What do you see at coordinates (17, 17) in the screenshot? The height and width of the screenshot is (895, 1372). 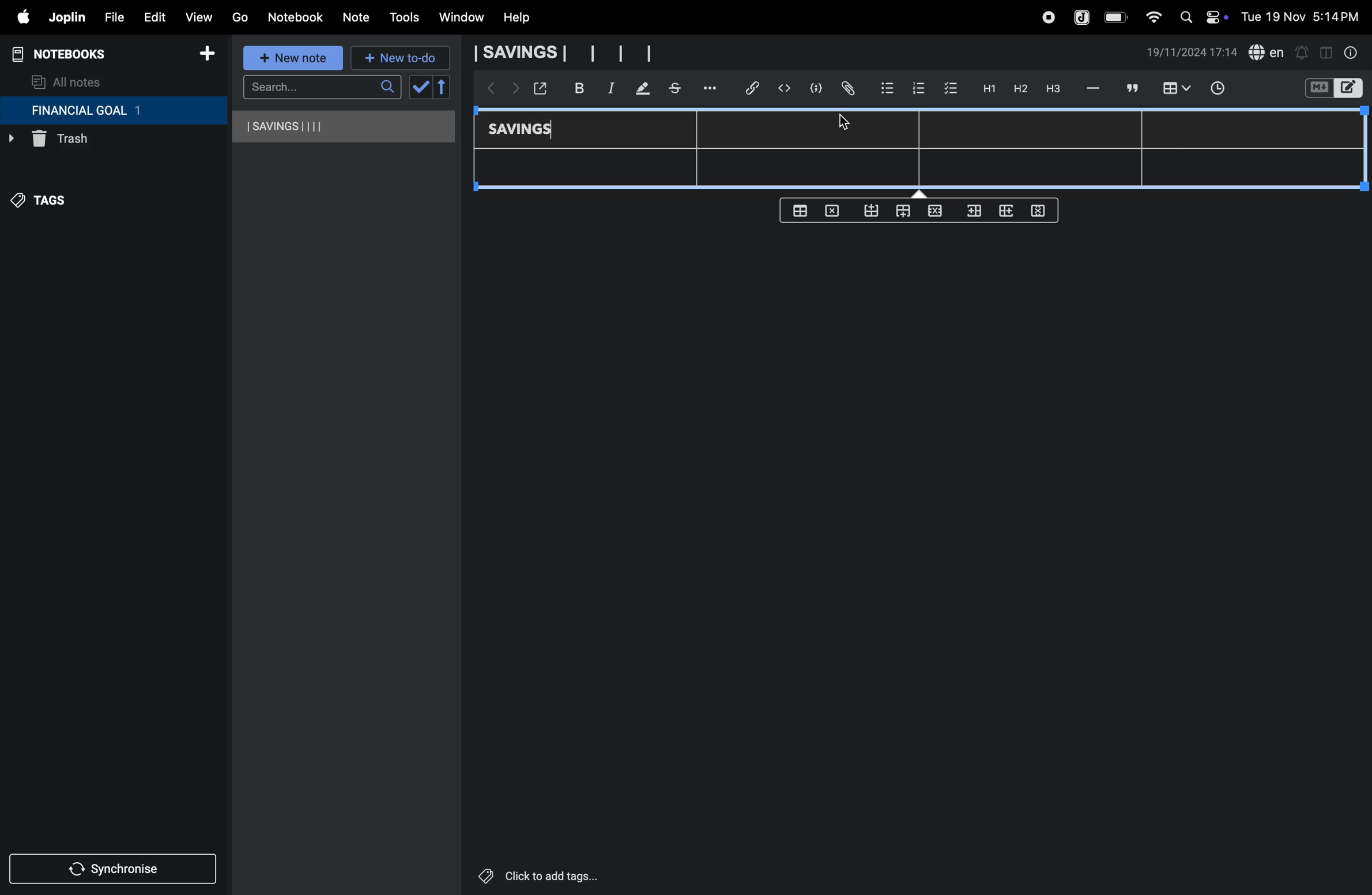 I see `apple menu` at bounding box center [17, 17].